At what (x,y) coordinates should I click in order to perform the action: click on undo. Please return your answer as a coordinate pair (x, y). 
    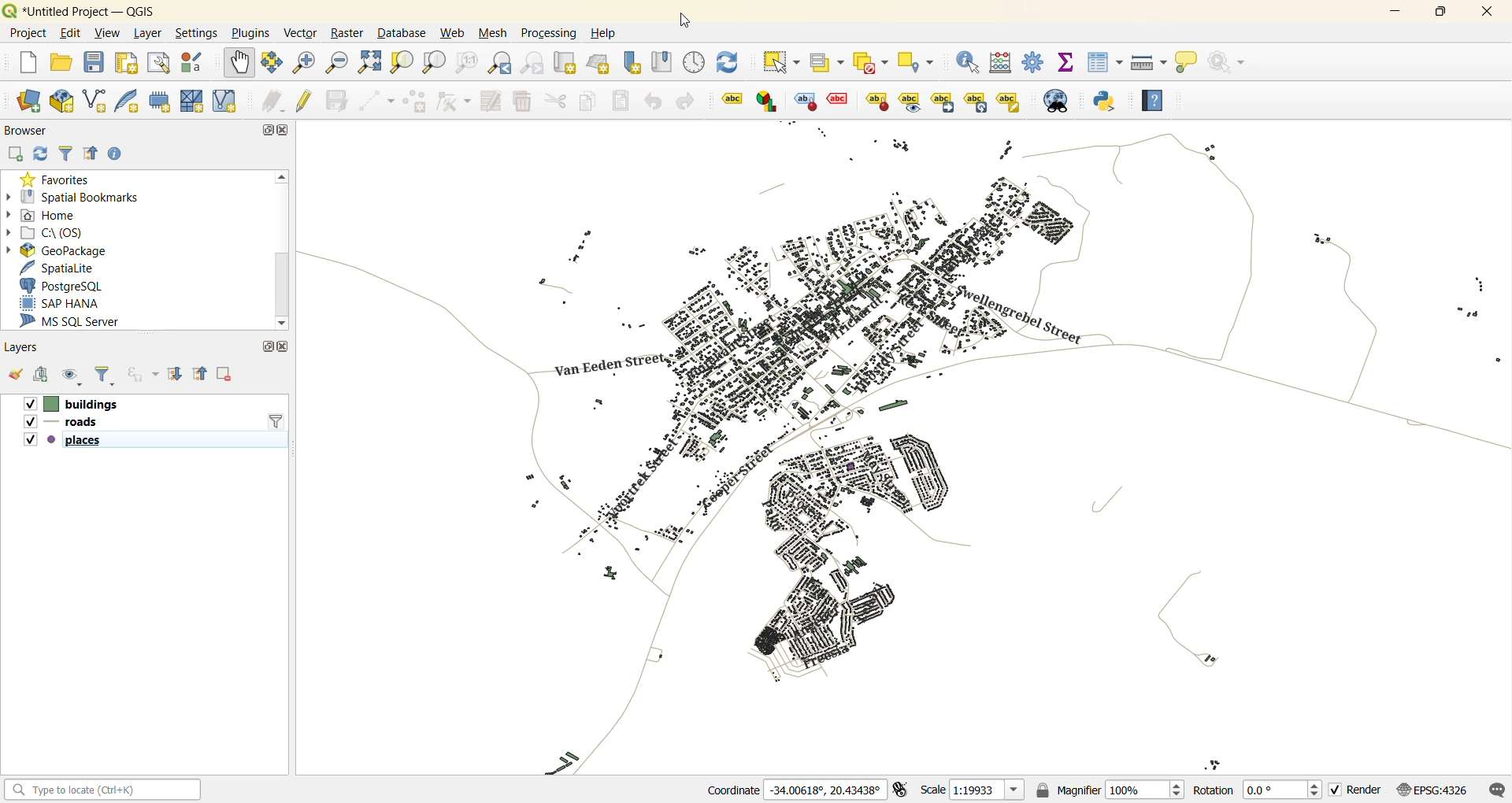
    Looking at the image, I should click on (656, 104).